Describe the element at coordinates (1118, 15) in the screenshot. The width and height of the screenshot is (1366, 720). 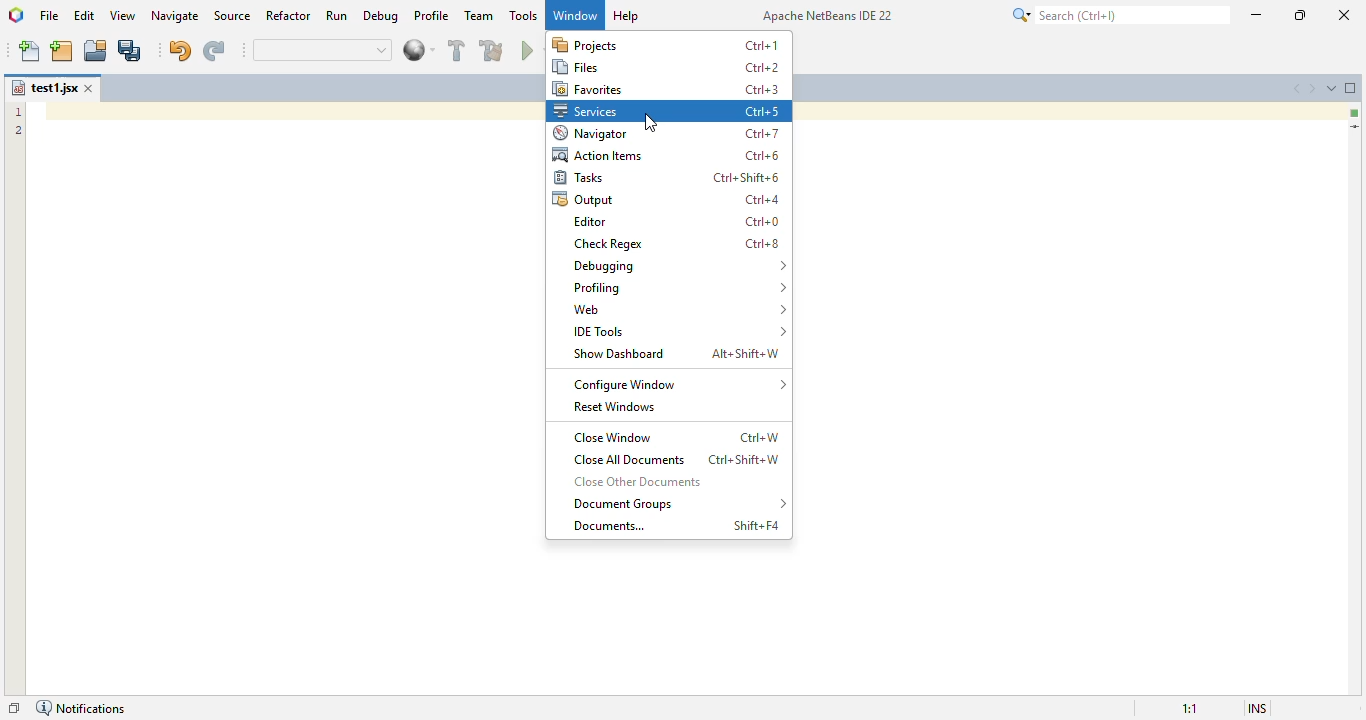
I see `search (ctrl+l)` at that location.